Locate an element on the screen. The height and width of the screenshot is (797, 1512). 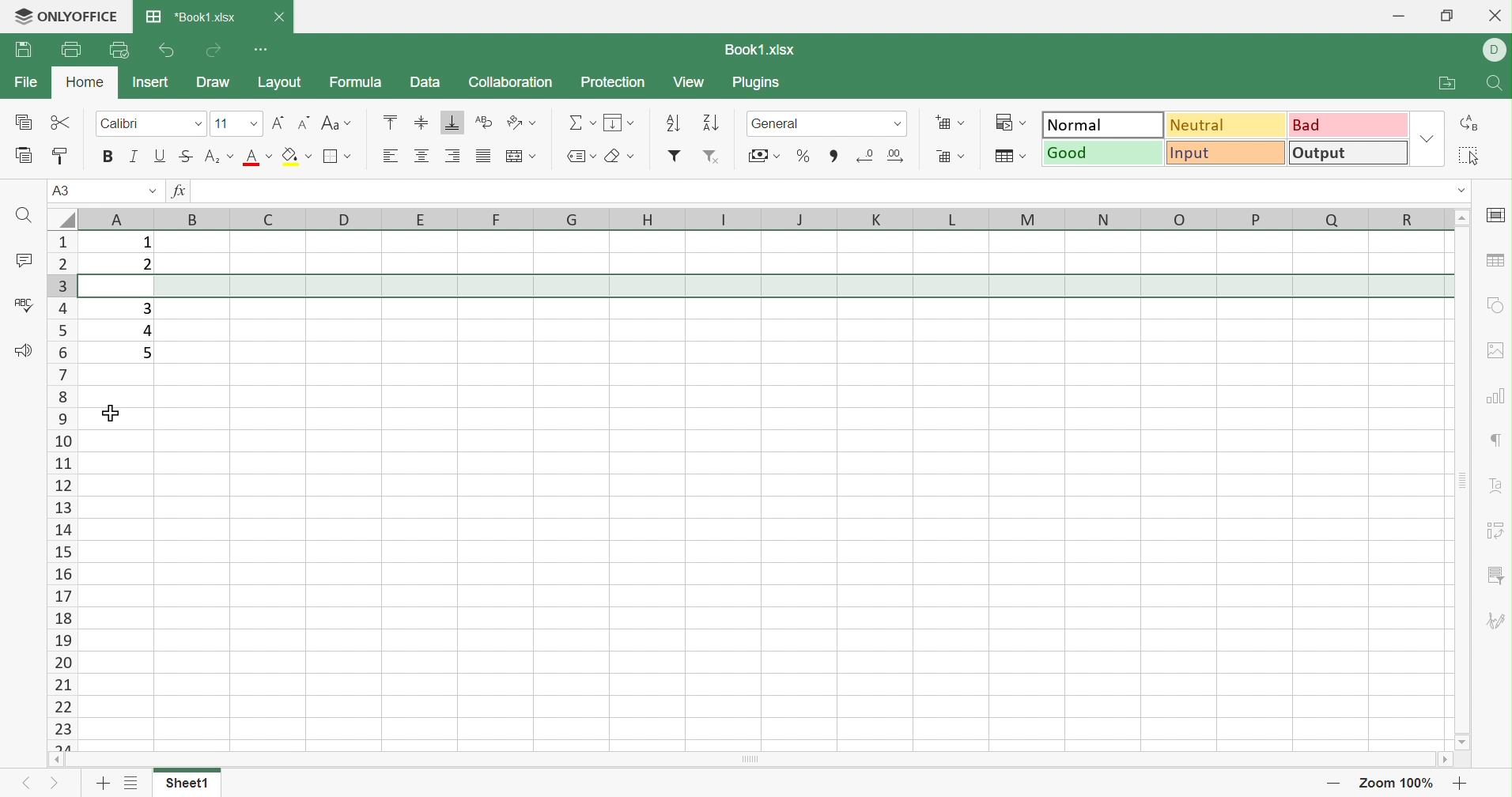
Cursor is located at coordinates (112, 415).